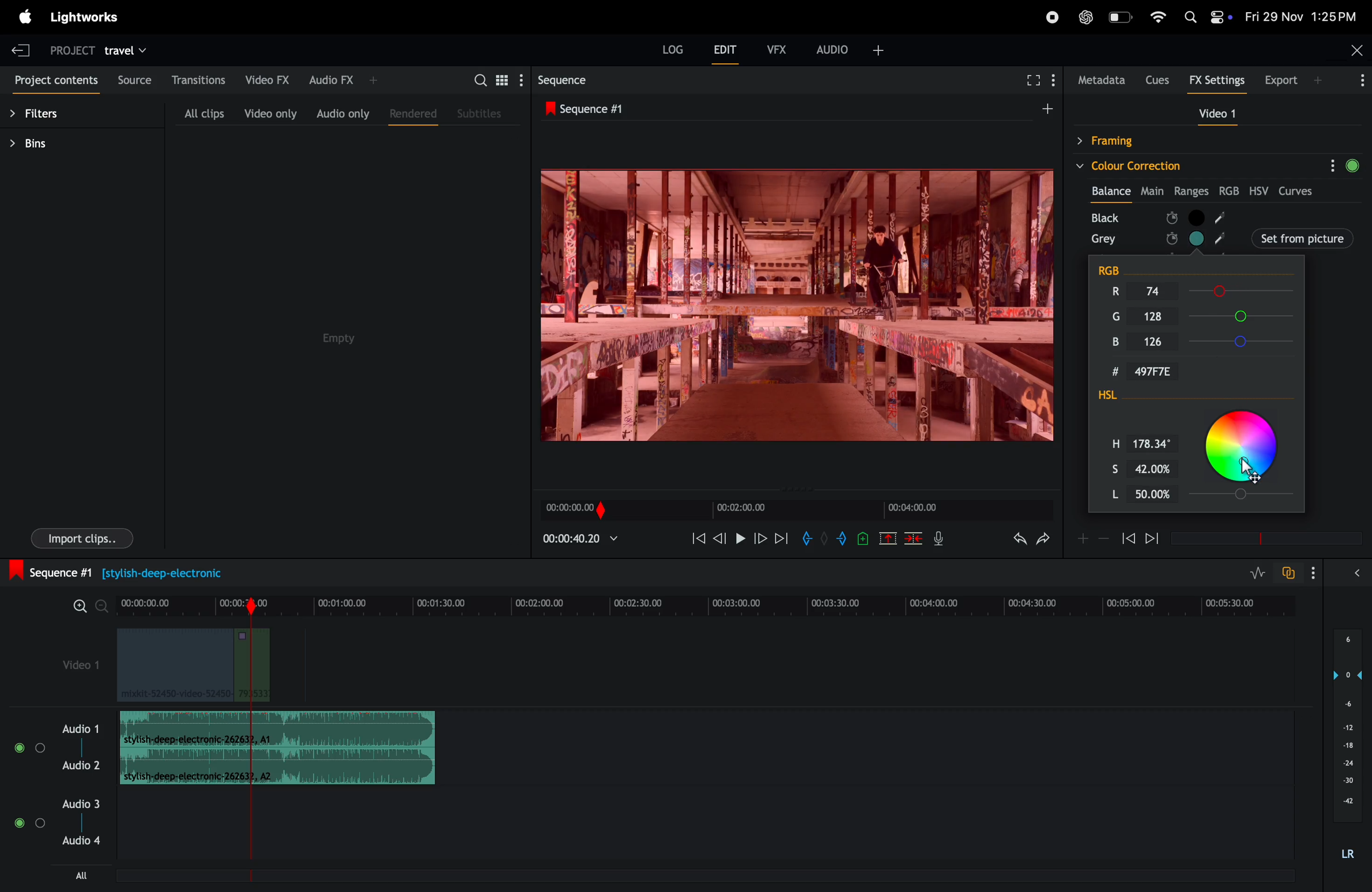  What do you see at coordinates (1287, 573) in the screenshot?
I see `tofggle audio track` at bounding box center [1287, 573].